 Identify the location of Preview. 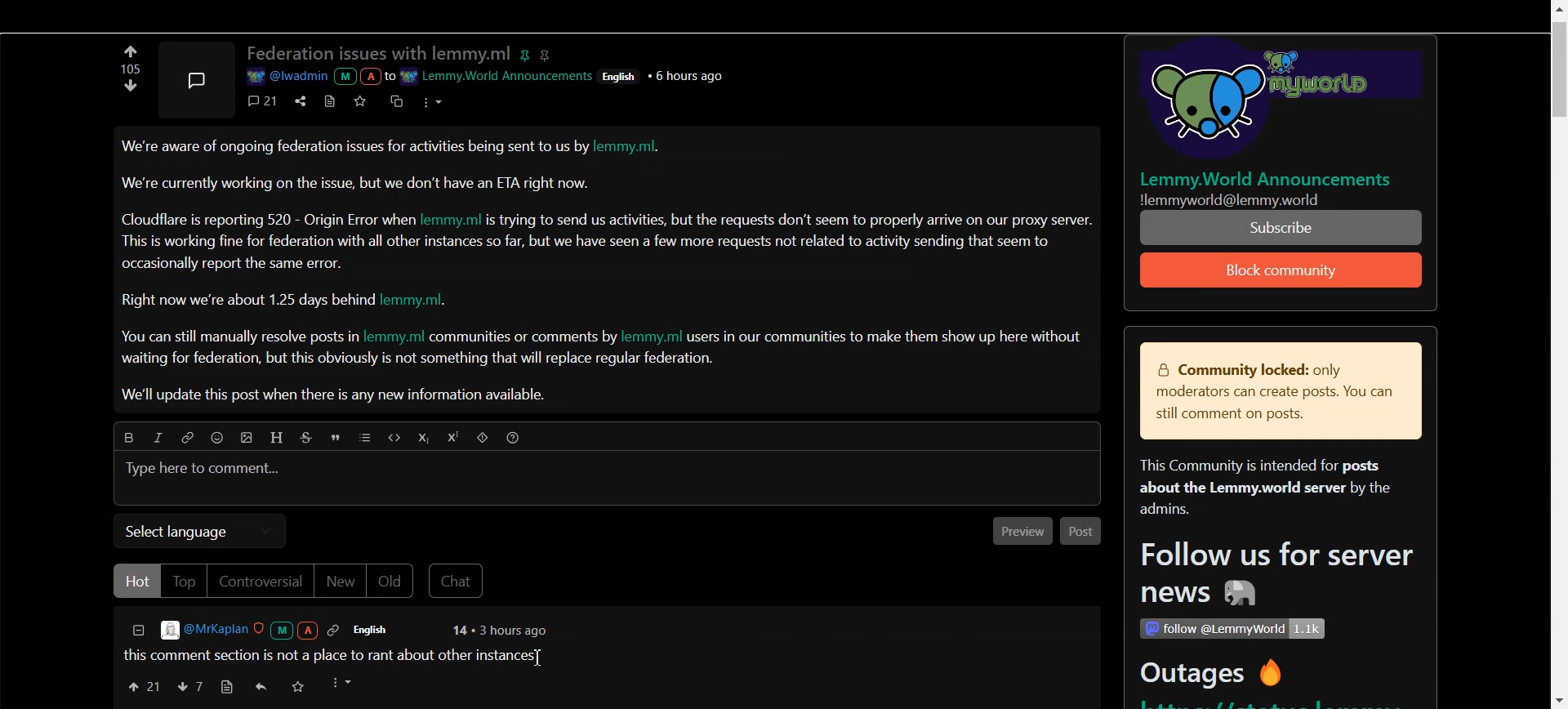
(1018, 533).